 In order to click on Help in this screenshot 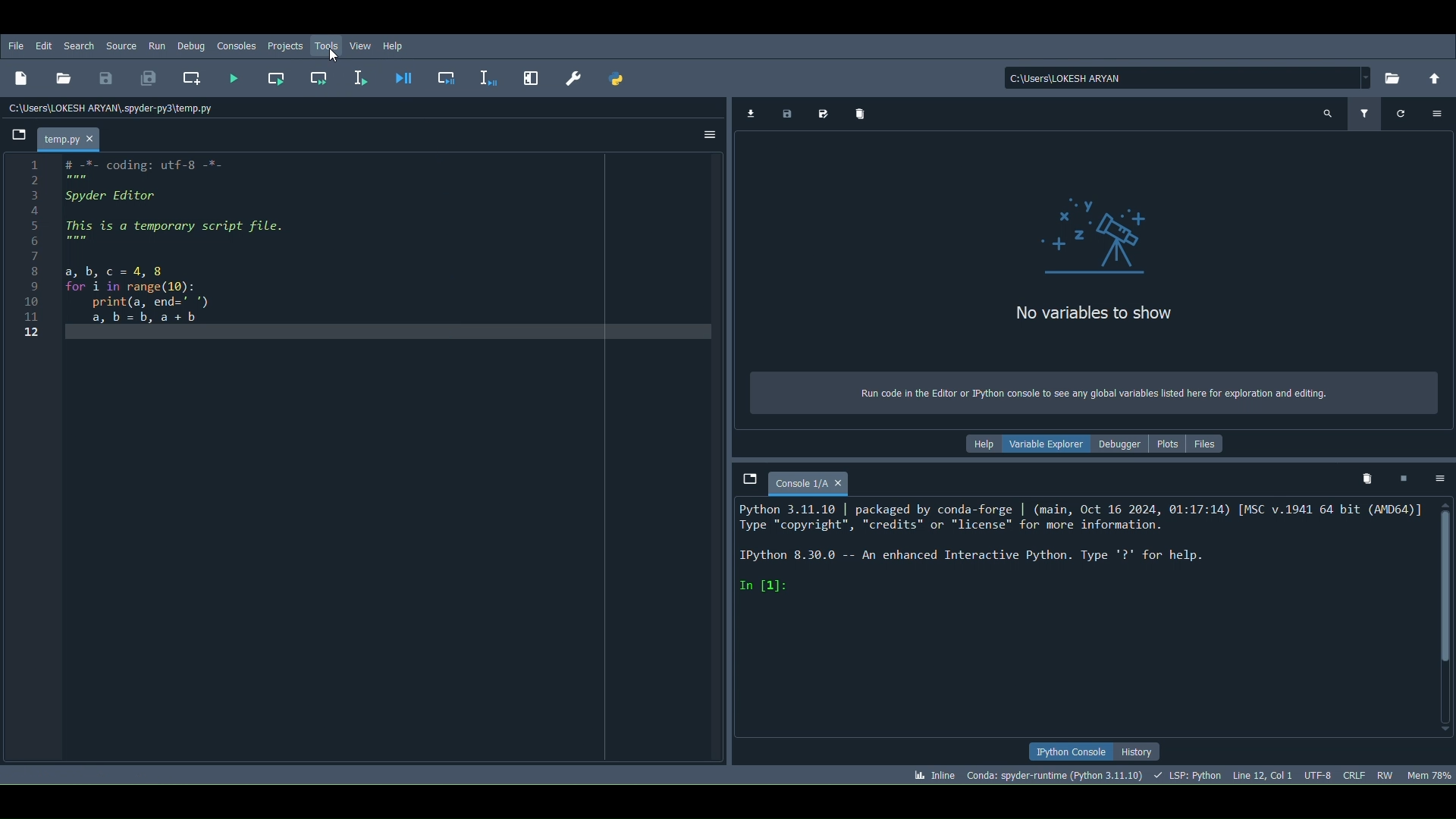, I will do `click(397, 45)`.